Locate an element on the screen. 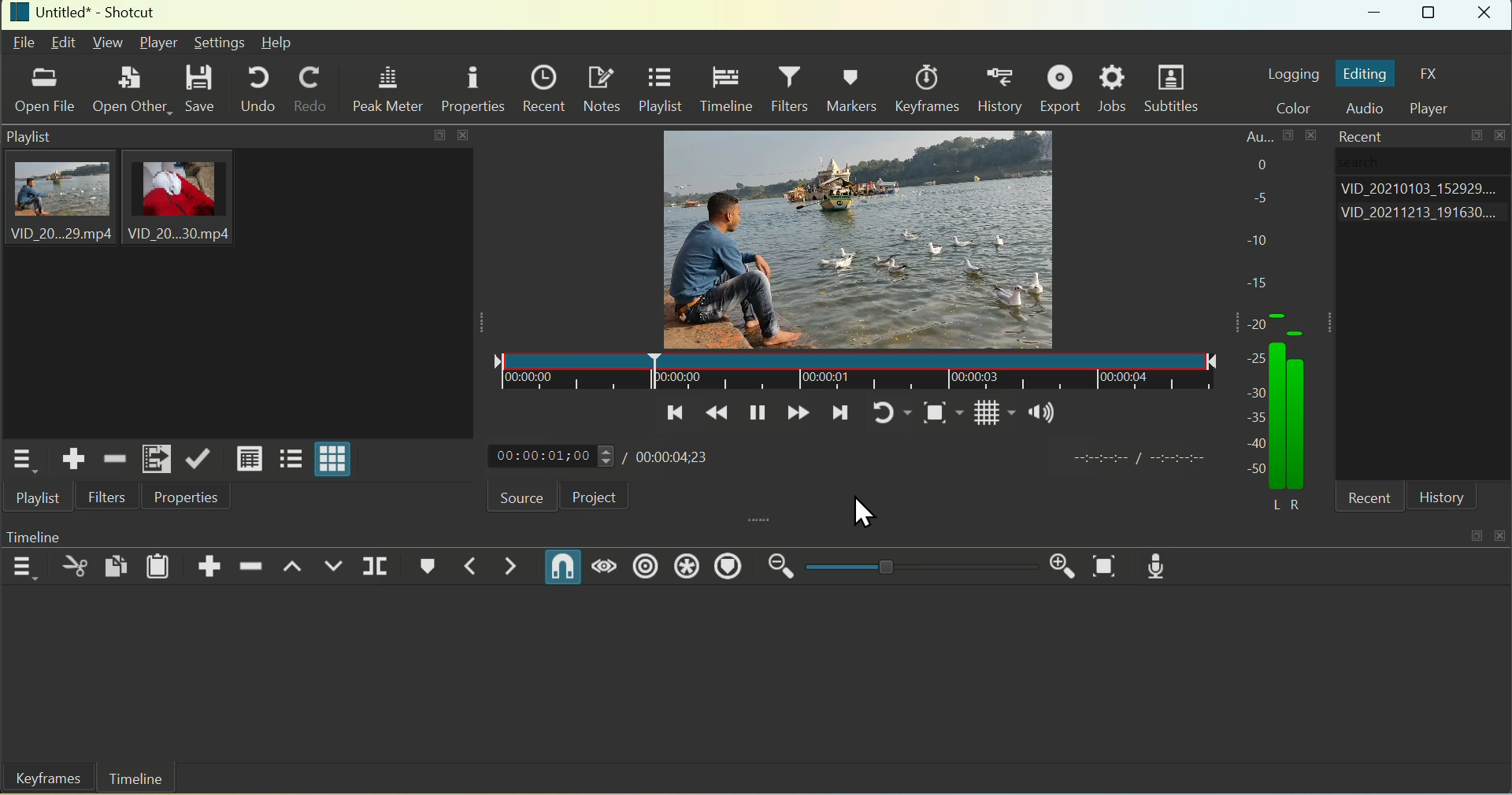 The width and height of the screenshot is (1512, 795). duration is located at coordinates (661, 457).